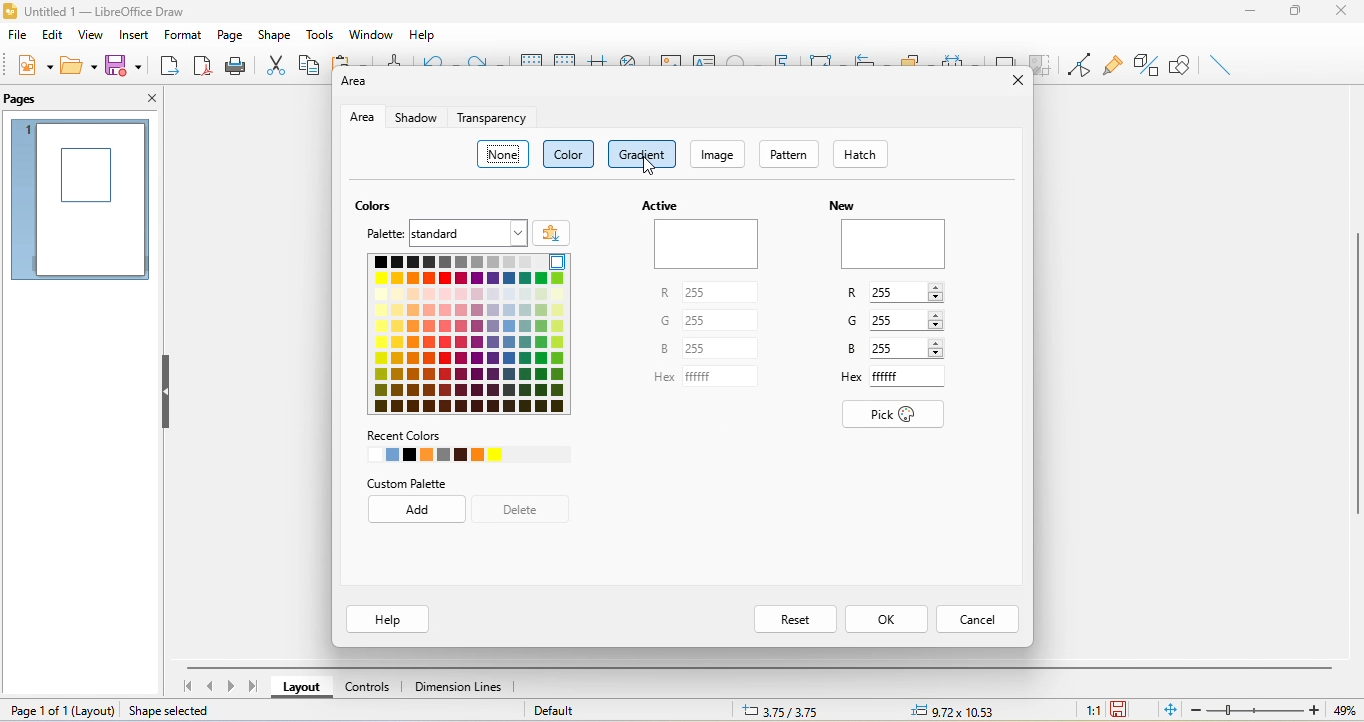  I want to click on title, so click(112, 12).